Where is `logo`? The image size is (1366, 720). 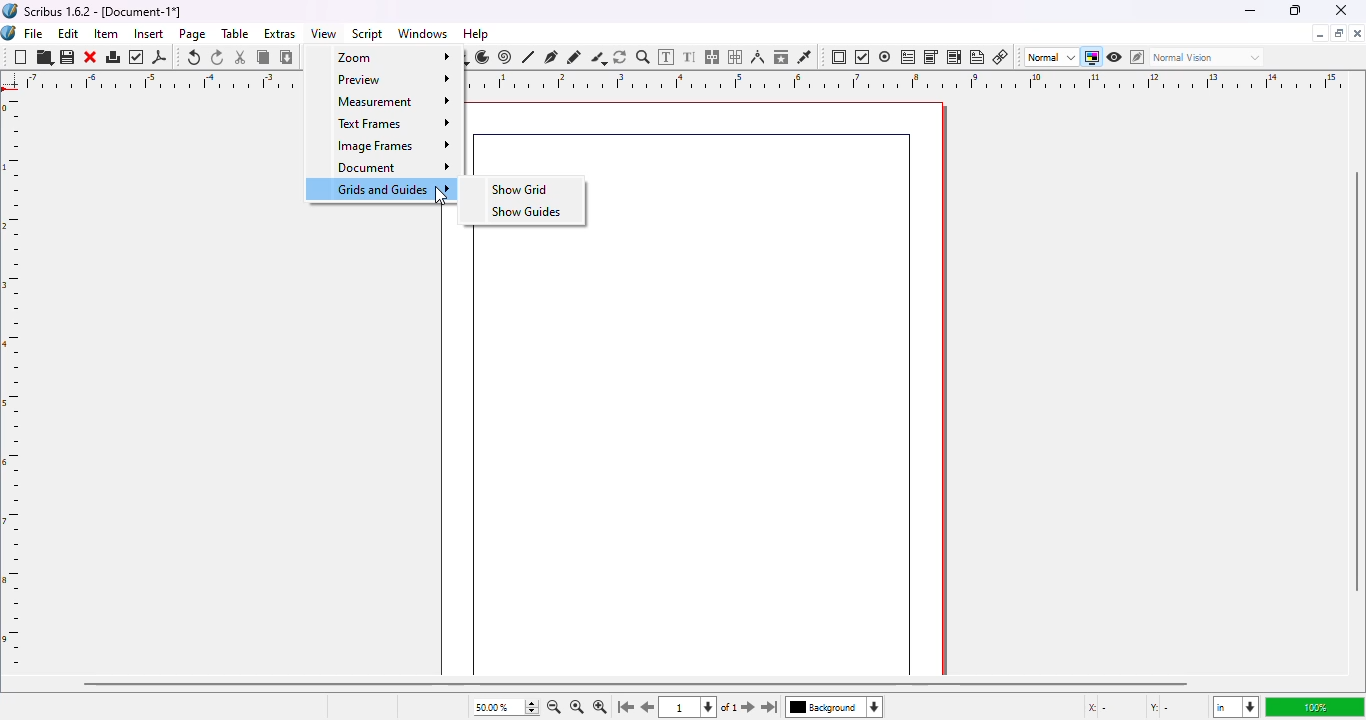 logo is located at coordinates (10, 10).